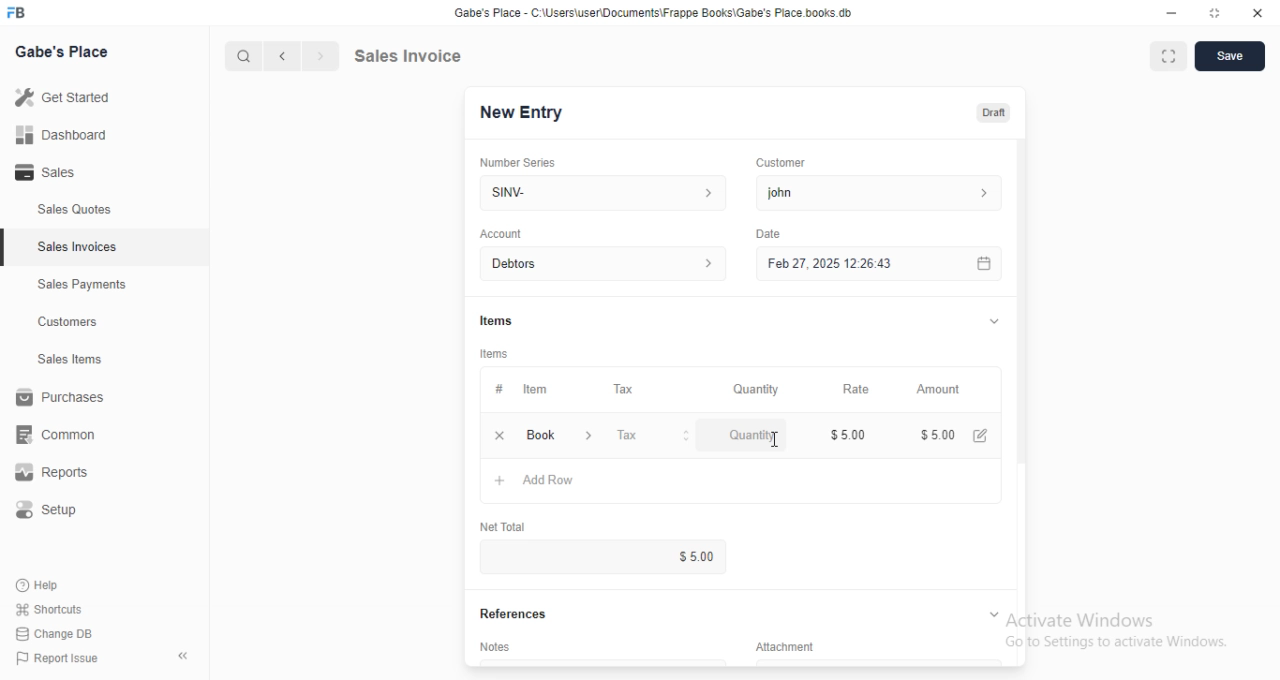  Describe the element at coordinates (451, 56) in the screenshot. I see `Sales Invoice` at that location.